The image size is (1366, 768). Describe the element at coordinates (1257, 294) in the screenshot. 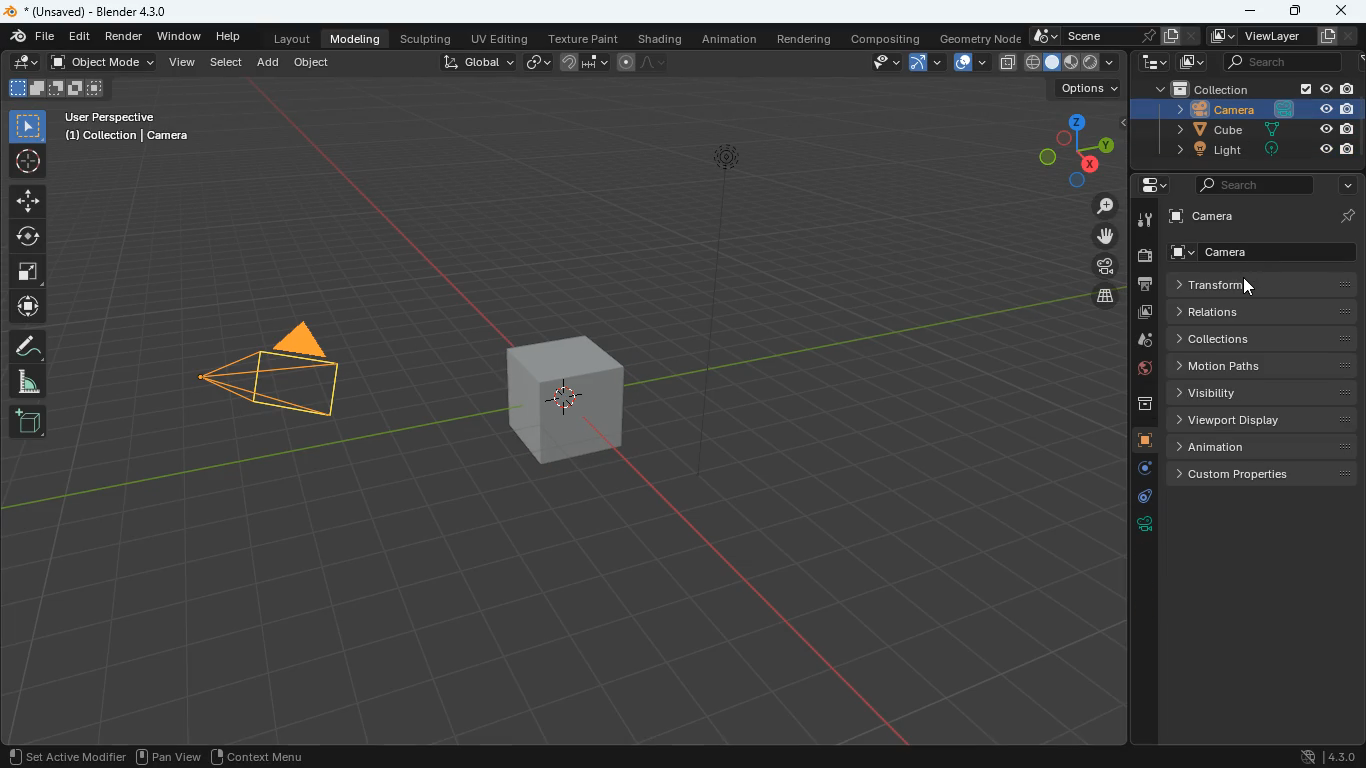

I see `cursor` at that location.